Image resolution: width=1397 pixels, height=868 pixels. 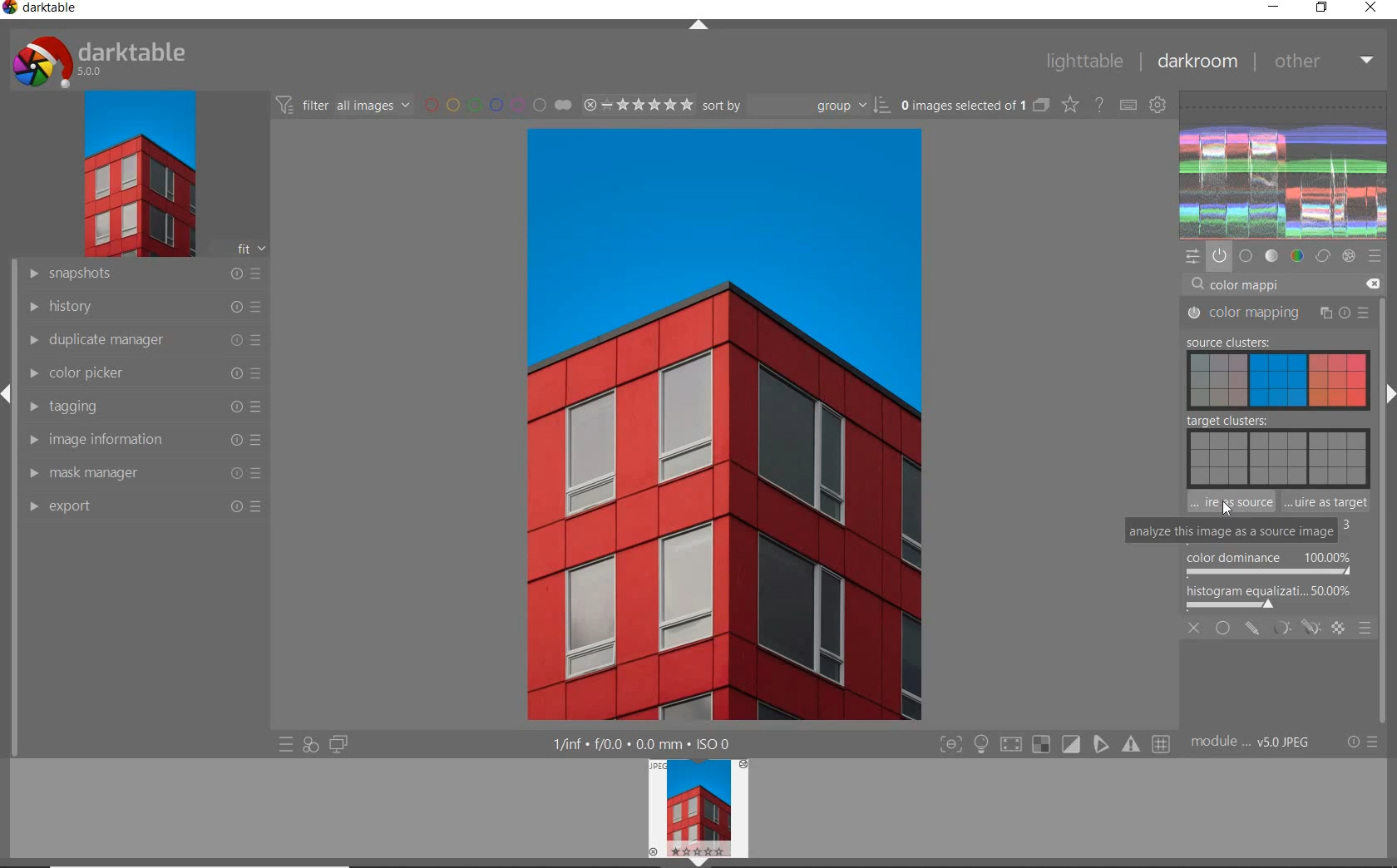 I want to click on image information, so click(x=143, y=440).